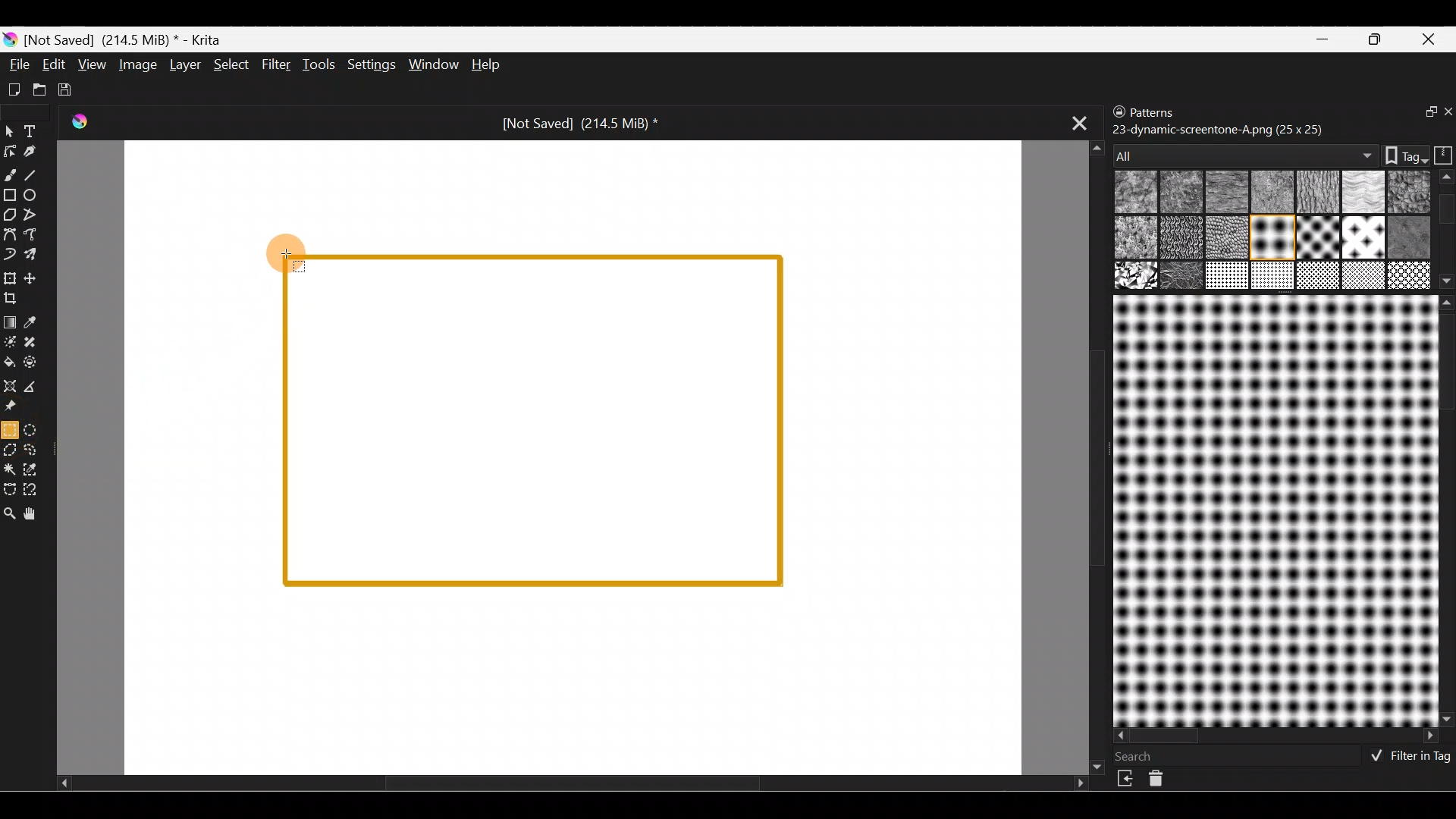 This screenshot has height=819, width=1456. I want to click on Freehand selection tool, so click(36, 450).